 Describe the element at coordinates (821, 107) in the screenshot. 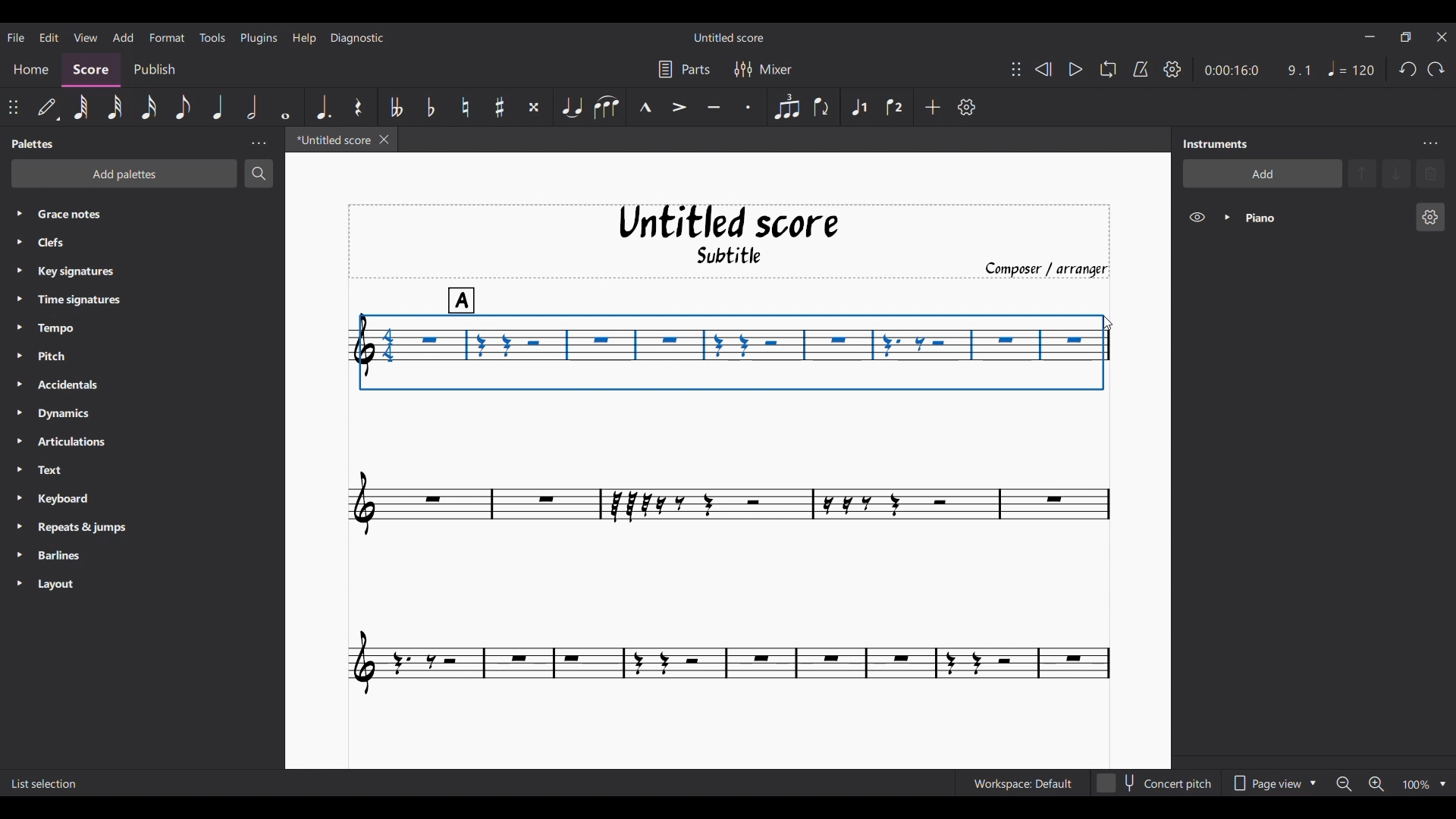

I see `Flip direction` at that location.